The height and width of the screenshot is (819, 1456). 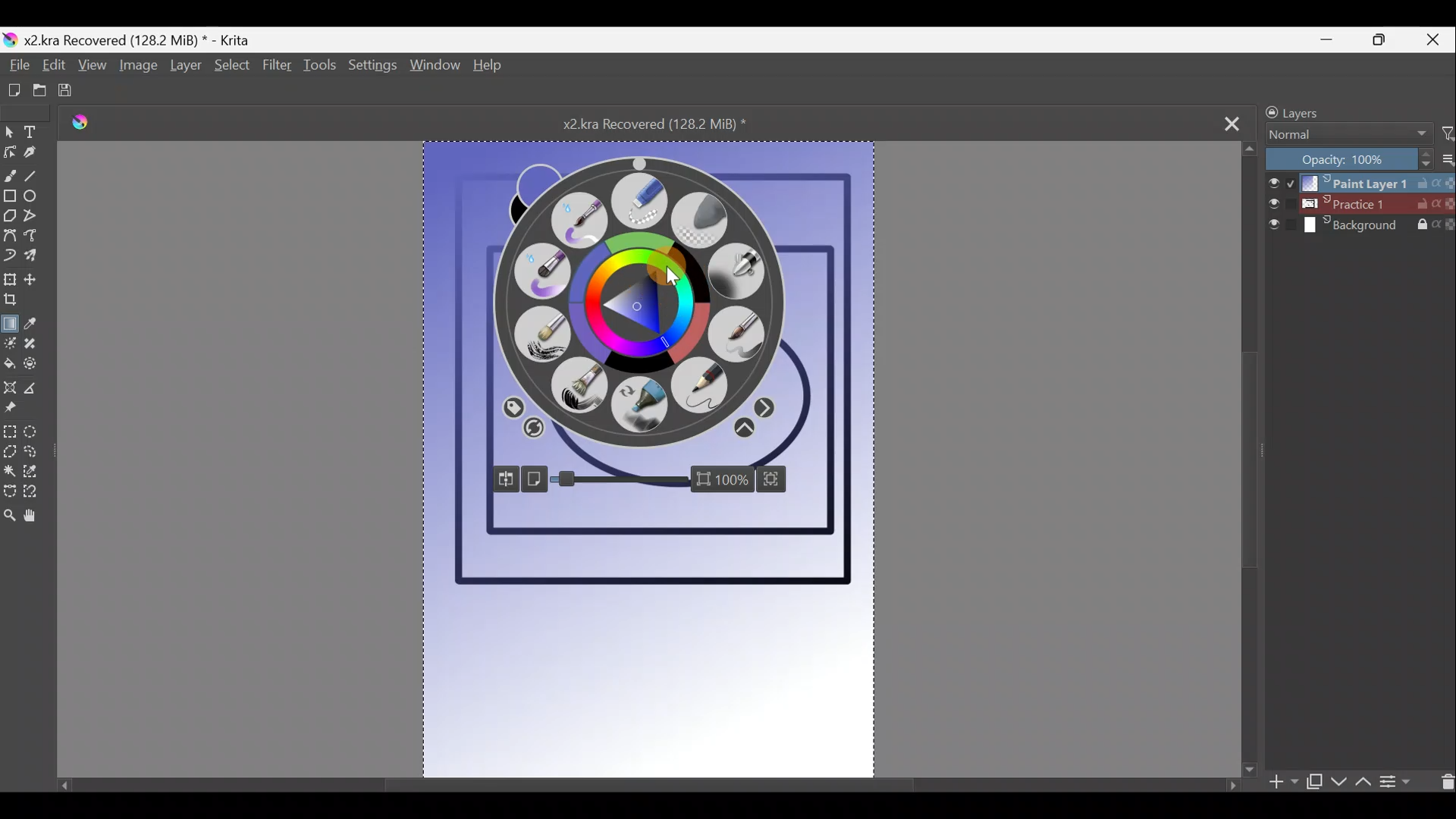 I want to click on Show just the canvas/whole window, so click(x=538, y=478).